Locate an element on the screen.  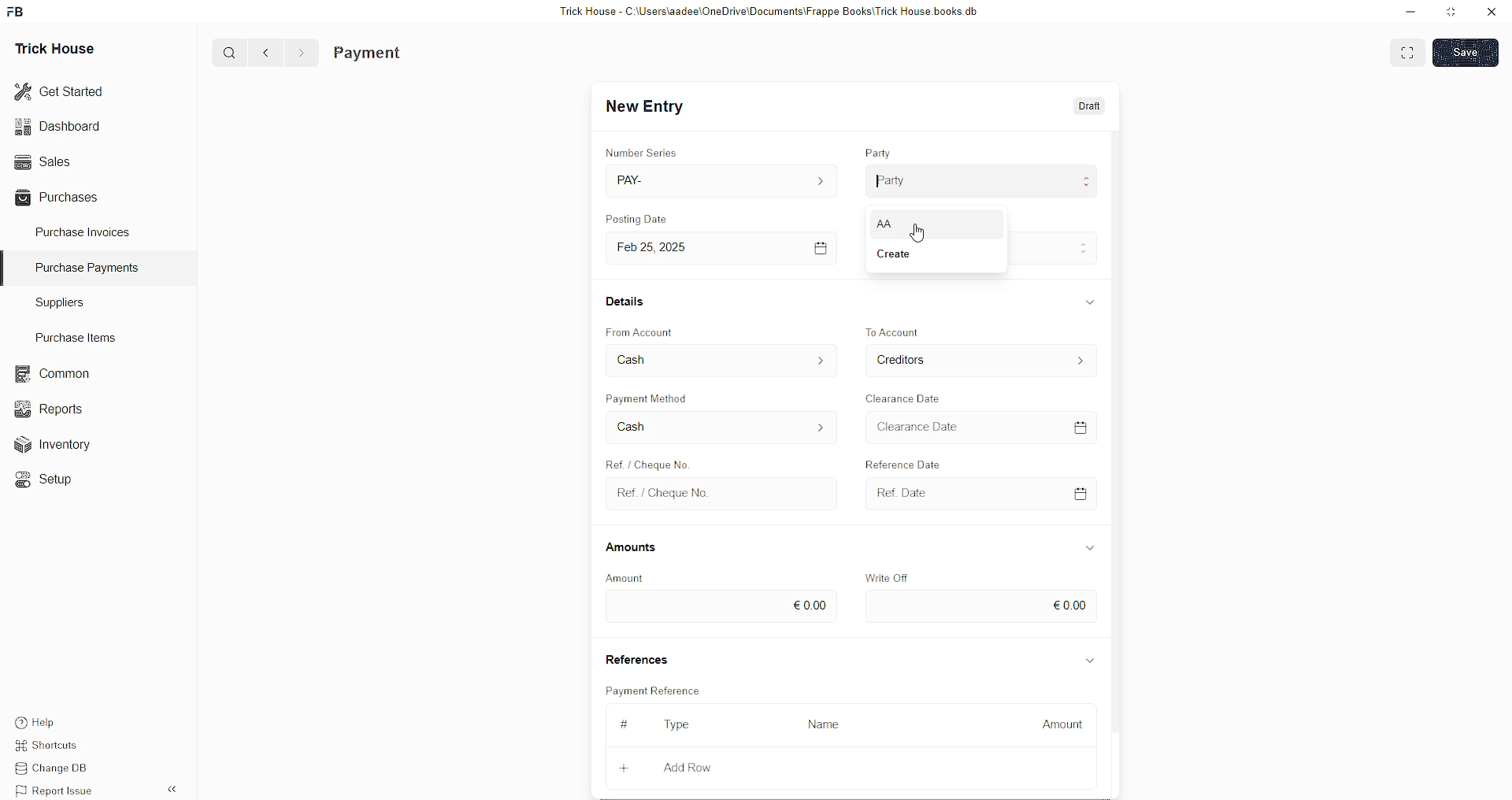
close is located at coordinates (1492, 12).